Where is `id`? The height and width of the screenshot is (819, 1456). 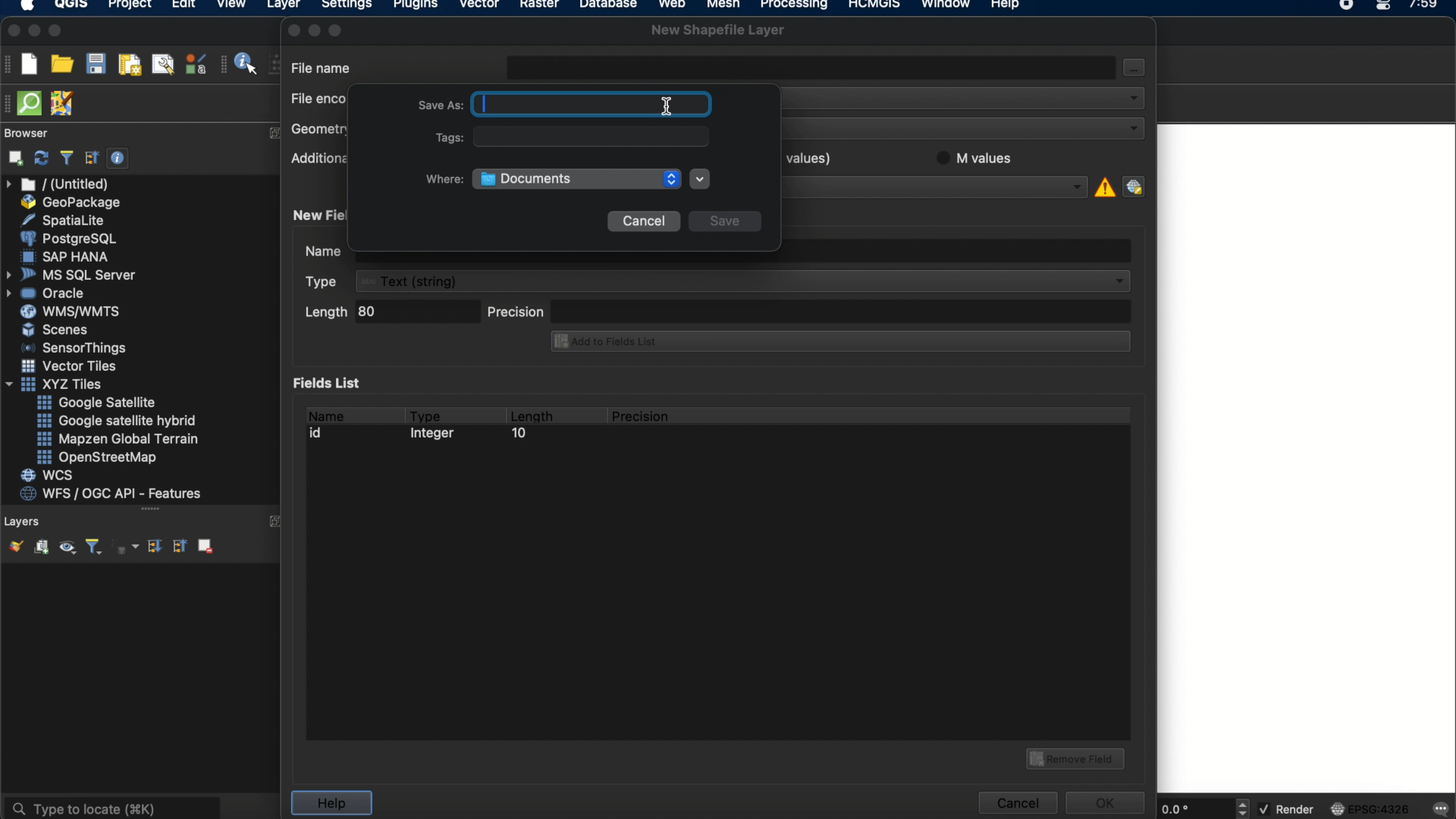 id is located at coordinates (320, 433).